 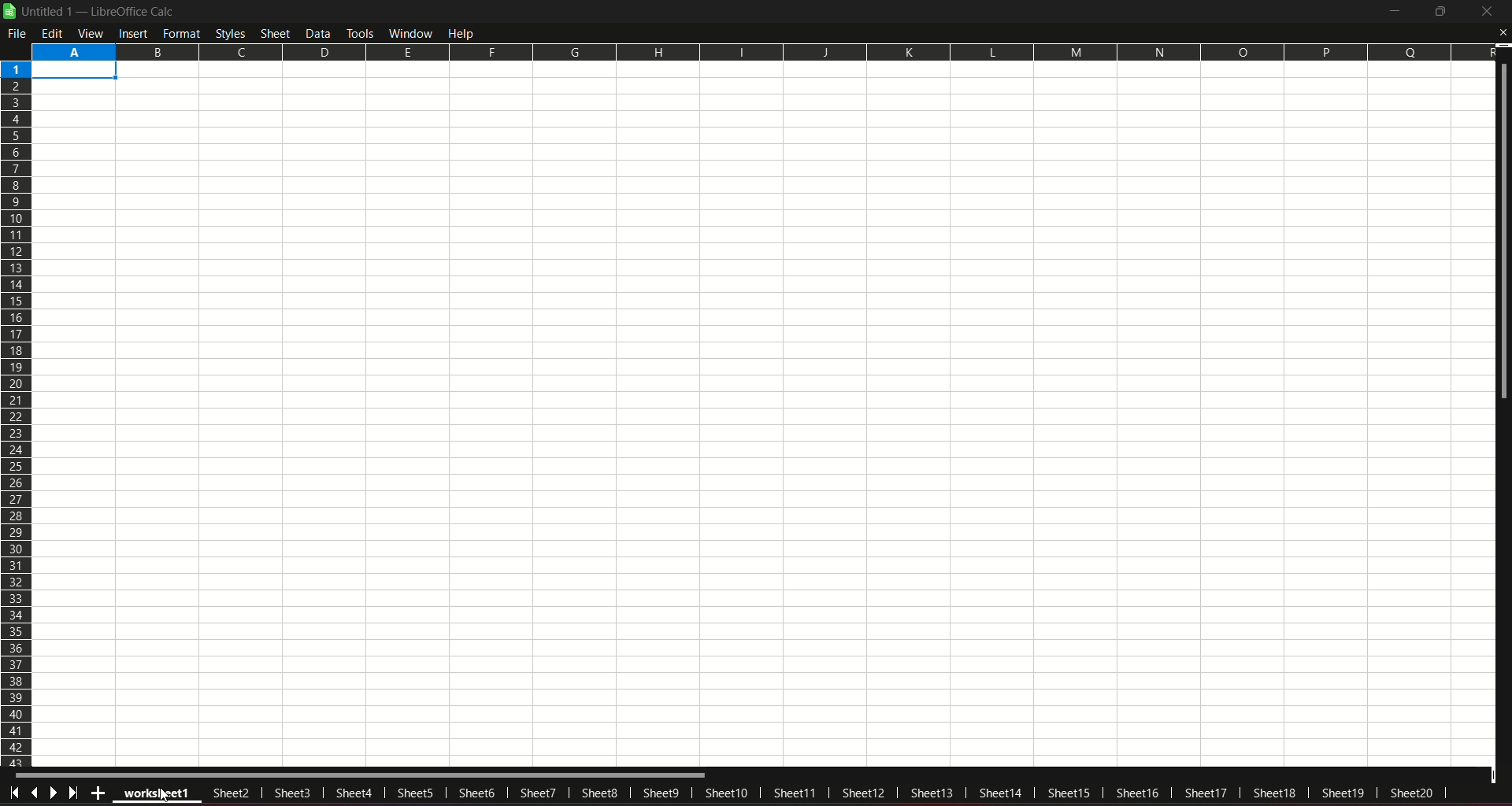 What do you see at coordinates (359, 31) in the screenshot?
I see `Tools` at bounding box center [359, 31].